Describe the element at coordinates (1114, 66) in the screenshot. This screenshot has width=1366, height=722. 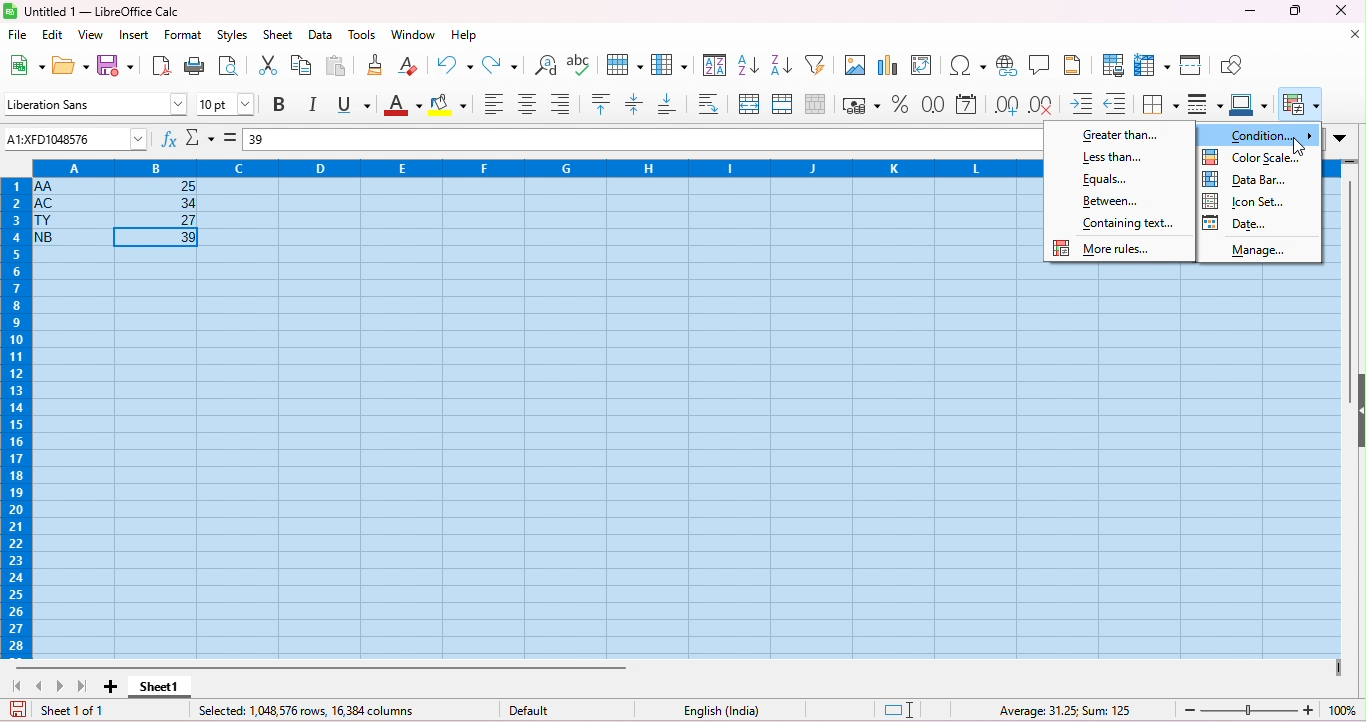
I see `define print area` at that location.